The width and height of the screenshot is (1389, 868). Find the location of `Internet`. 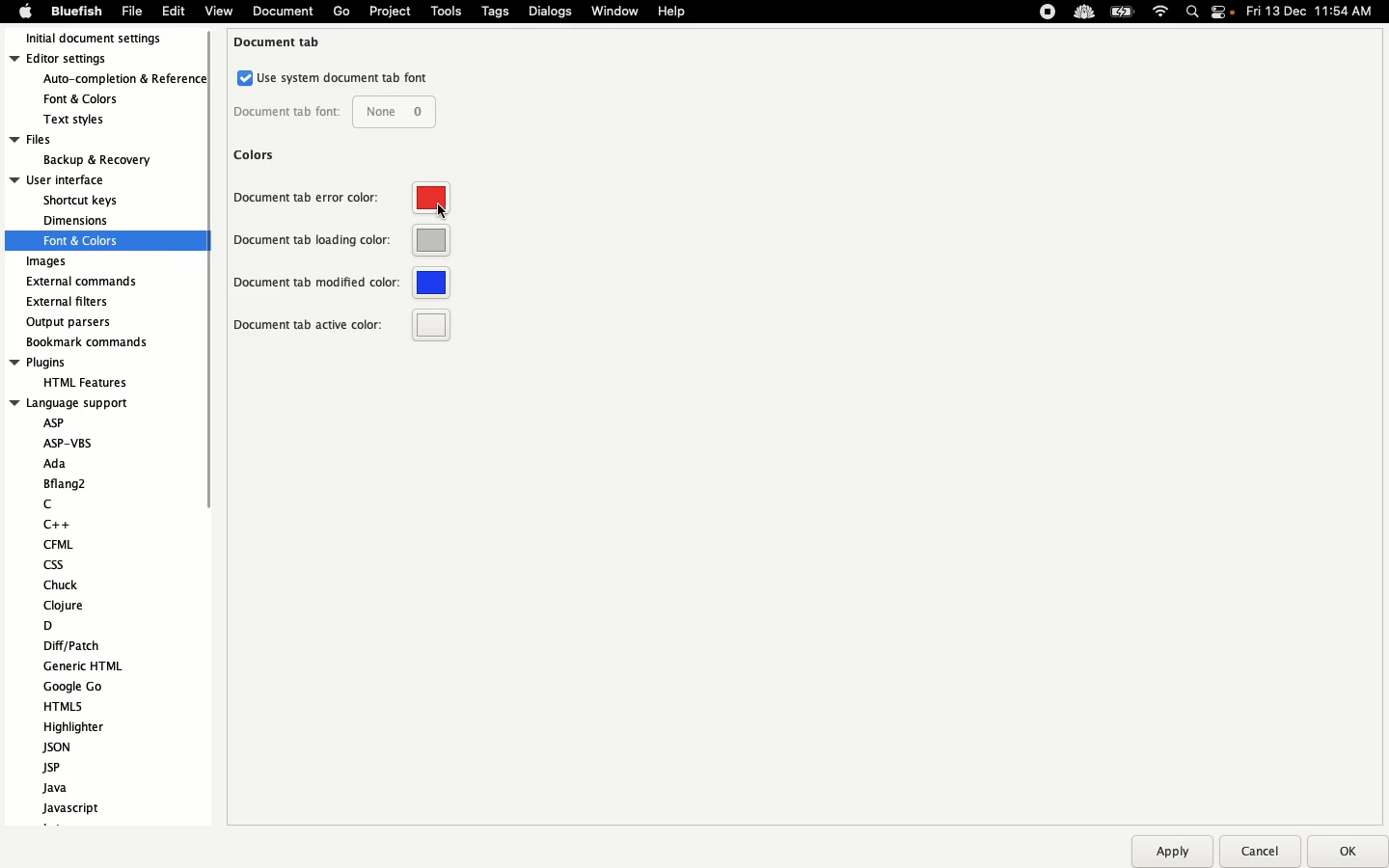

Internet is located at coordinates (1161, 13).